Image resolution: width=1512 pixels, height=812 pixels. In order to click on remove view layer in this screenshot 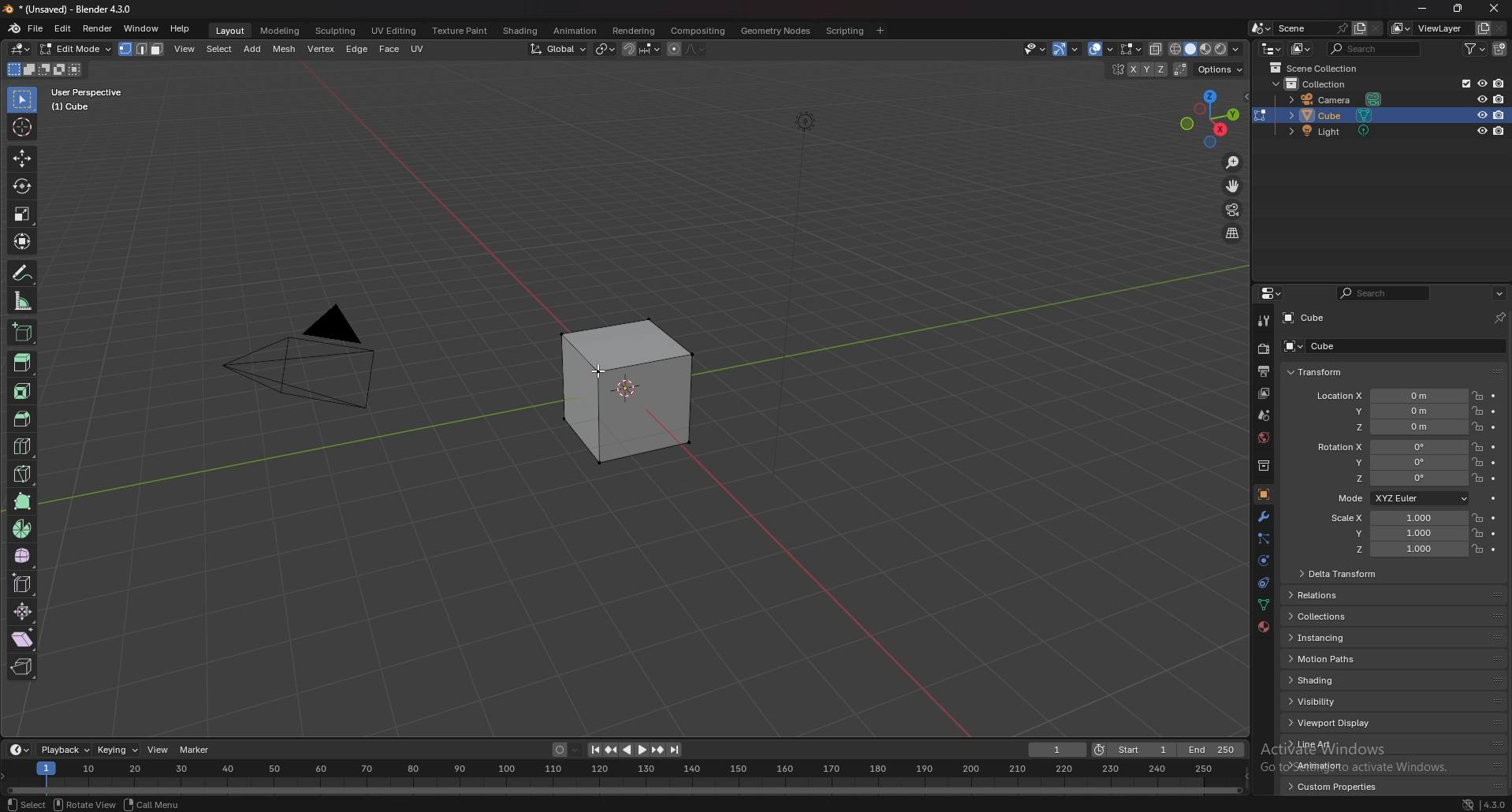, I will do `click(1501, 28)`.